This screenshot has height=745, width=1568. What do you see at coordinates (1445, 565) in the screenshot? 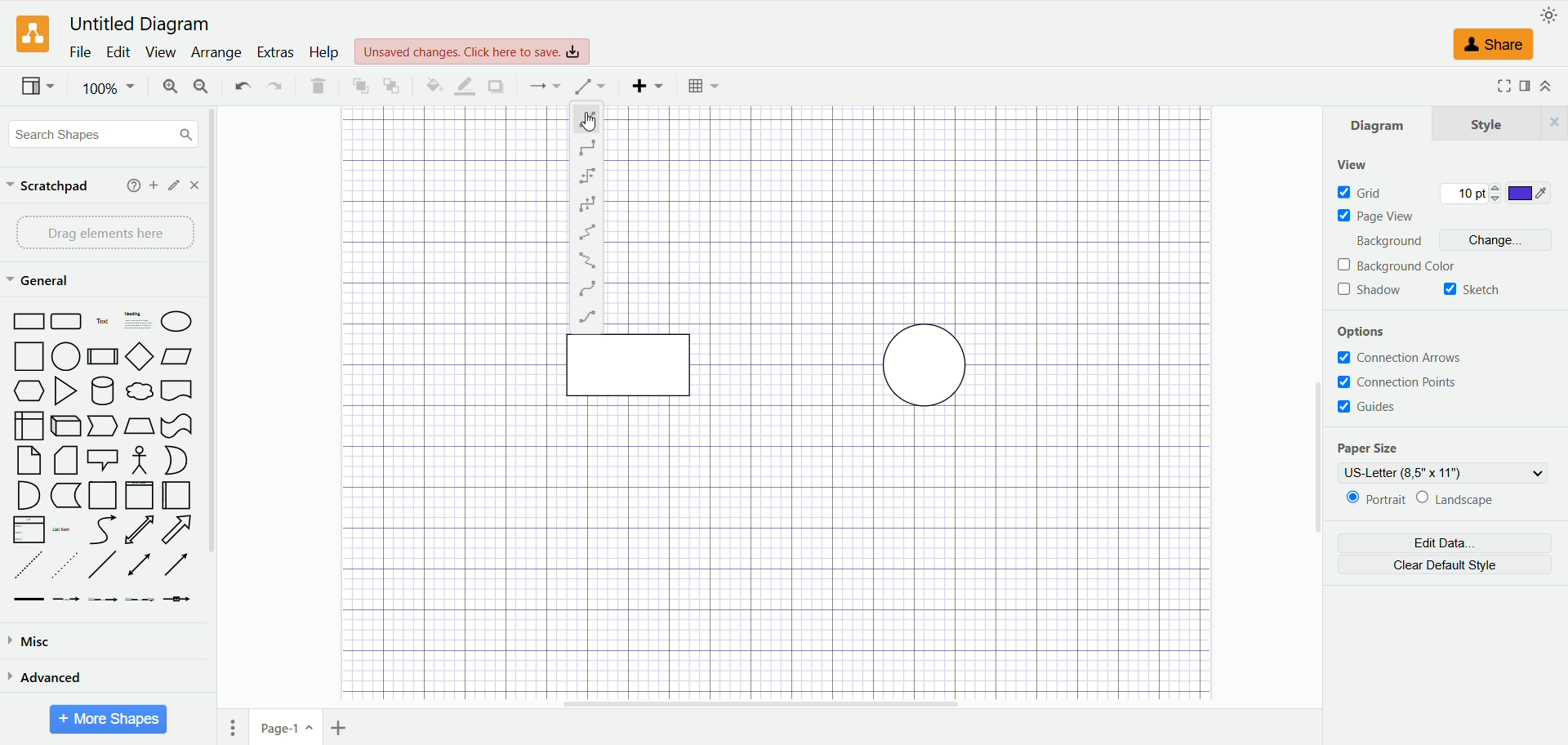
I see `clear default style` at bounding box center [1445, 565].